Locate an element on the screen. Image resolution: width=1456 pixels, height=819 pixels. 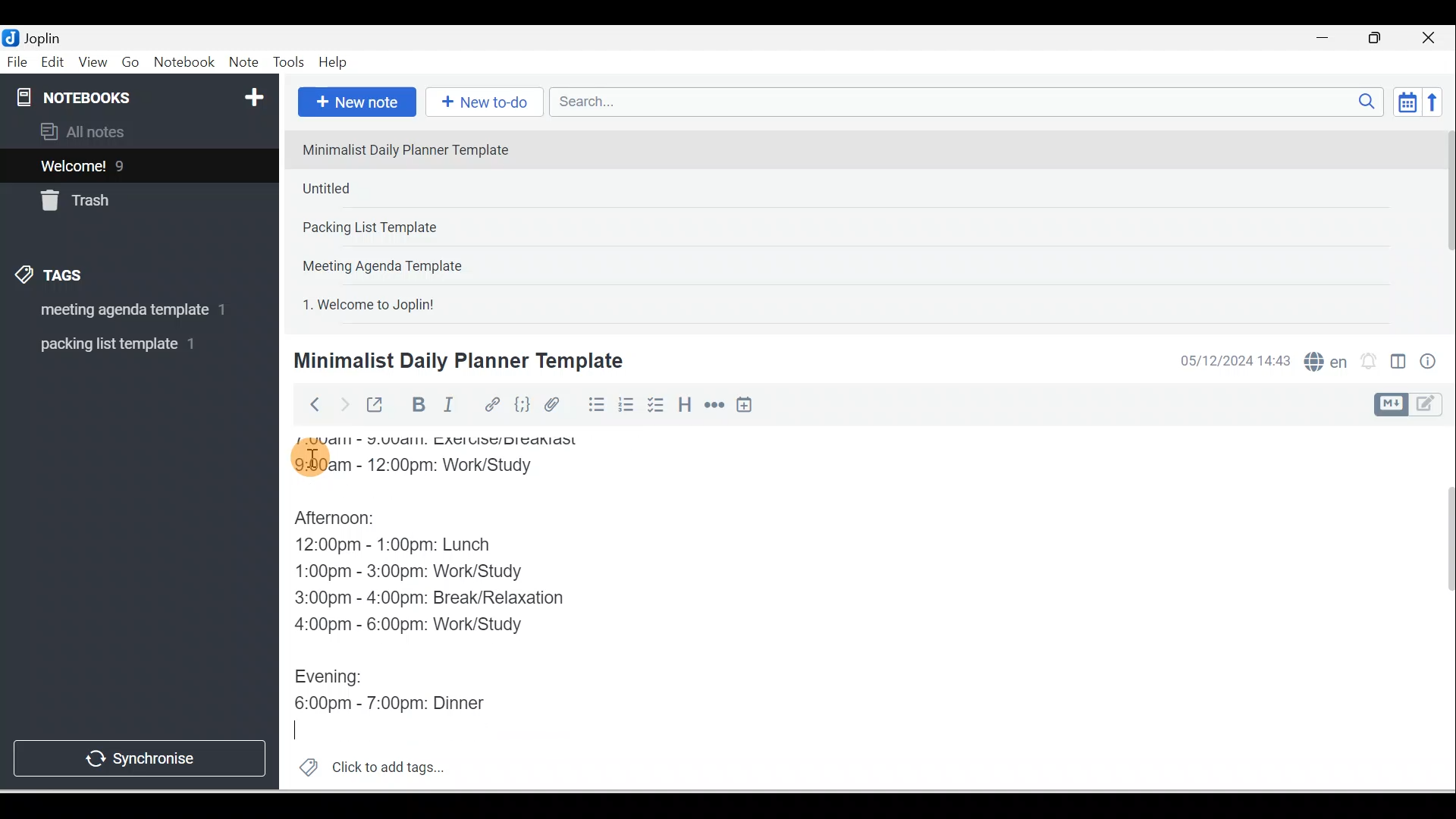
Toggle sort order is located at coordinates (1407, 101).